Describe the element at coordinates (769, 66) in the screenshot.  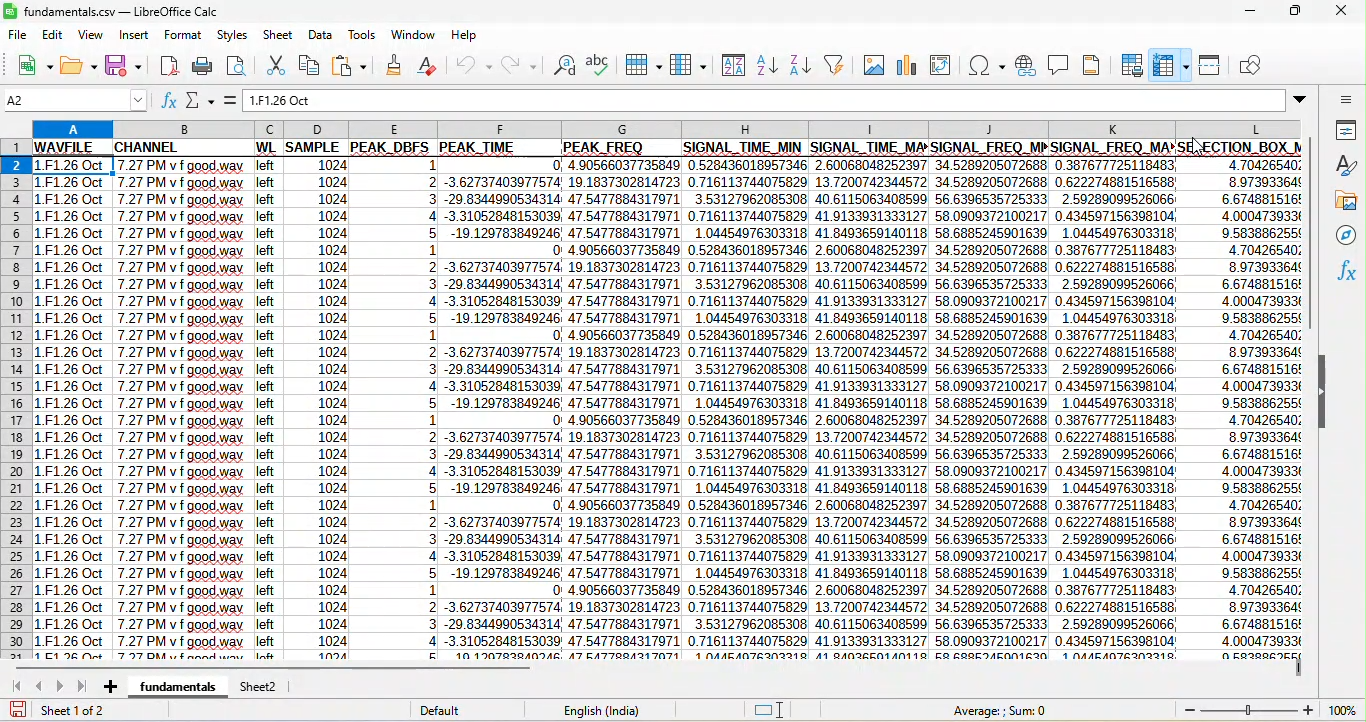
I see `sort ascending` at that location.